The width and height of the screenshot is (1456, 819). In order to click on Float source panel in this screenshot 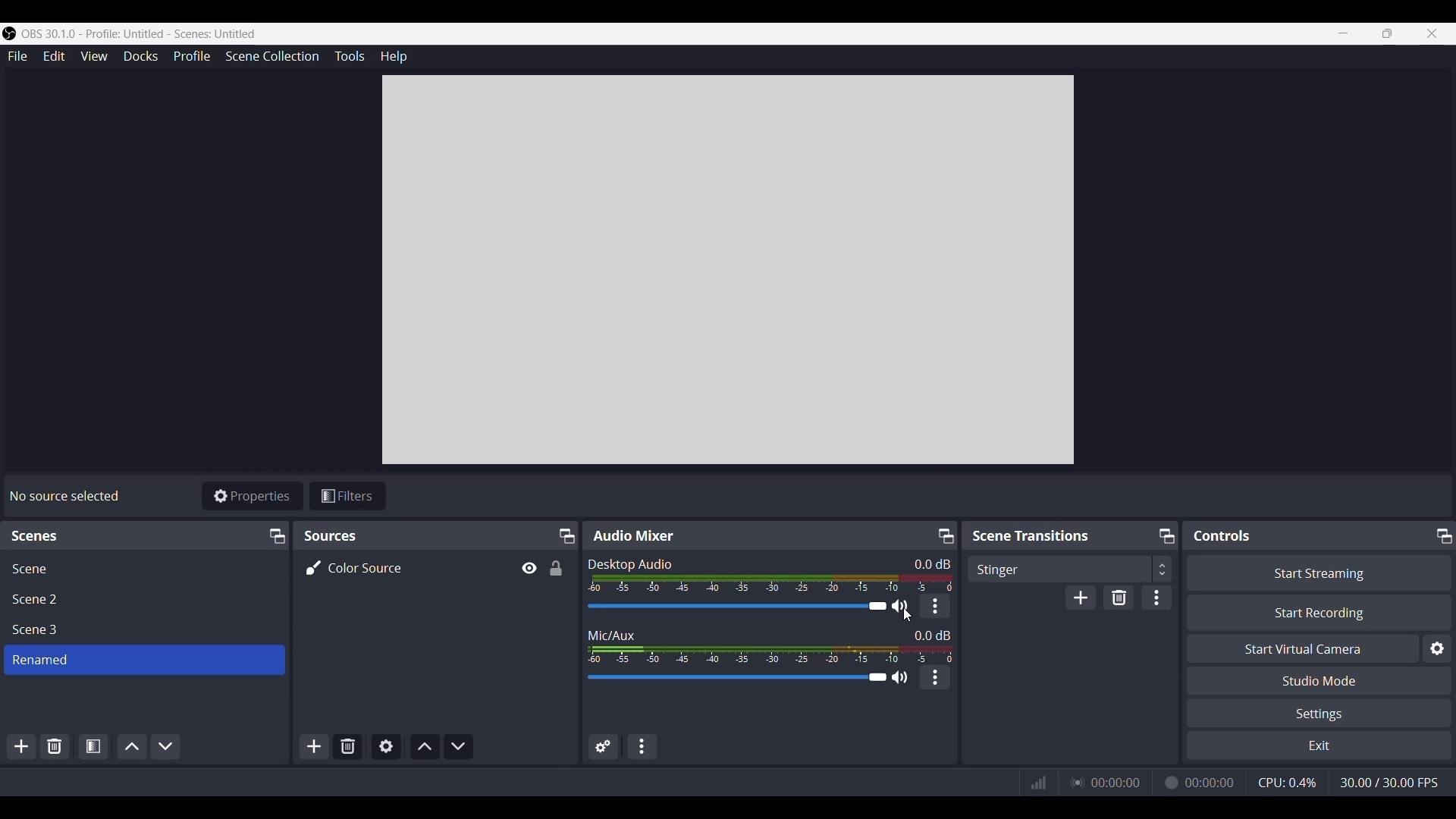, I will do `click(276, 537)`.